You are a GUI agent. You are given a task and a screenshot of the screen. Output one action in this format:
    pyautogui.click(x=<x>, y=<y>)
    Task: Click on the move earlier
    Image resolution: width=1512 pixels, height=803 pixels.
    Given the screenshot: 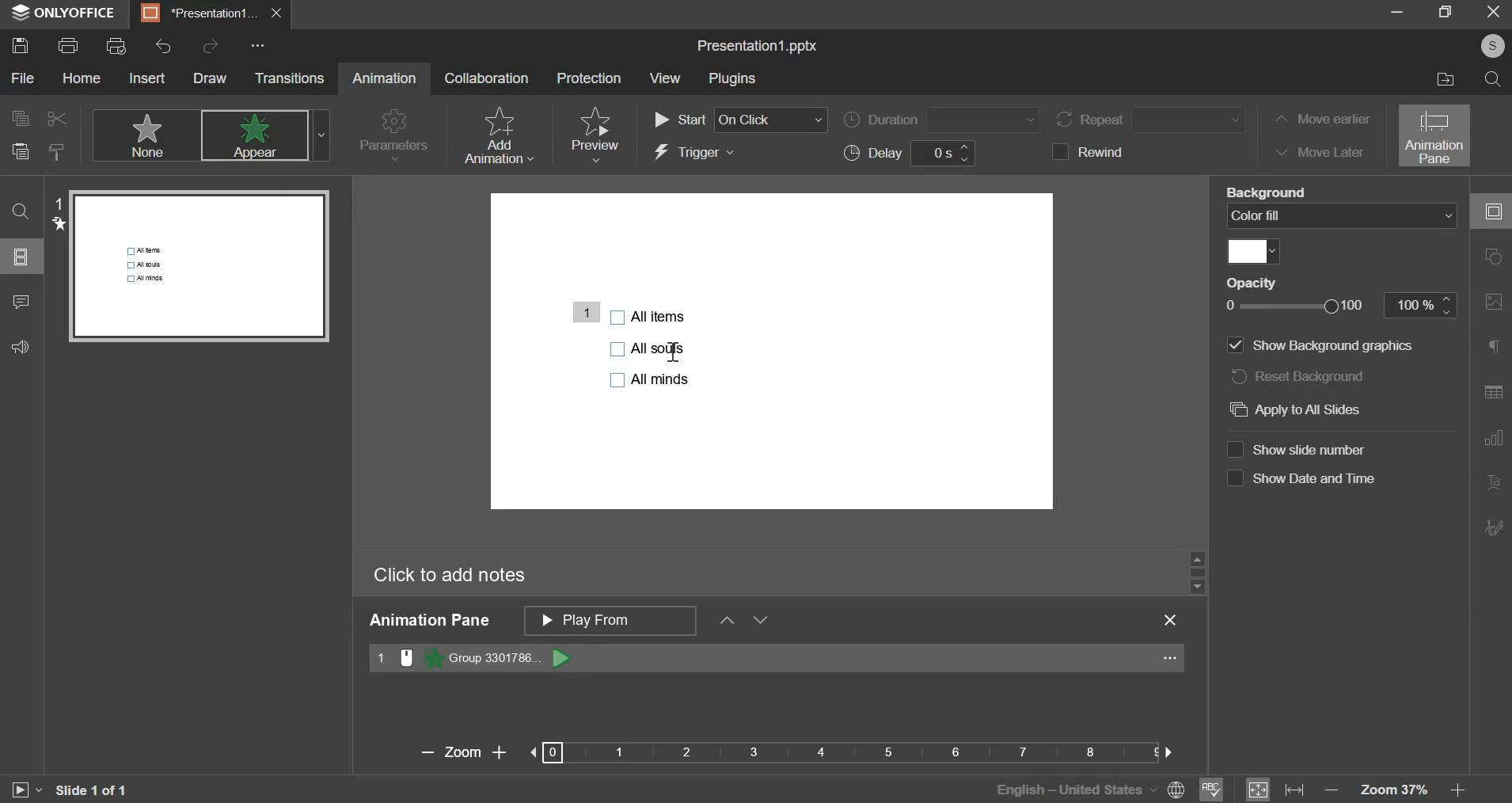 What is the action you would take?
    pyautogui.click(x=1320, y=120)
    